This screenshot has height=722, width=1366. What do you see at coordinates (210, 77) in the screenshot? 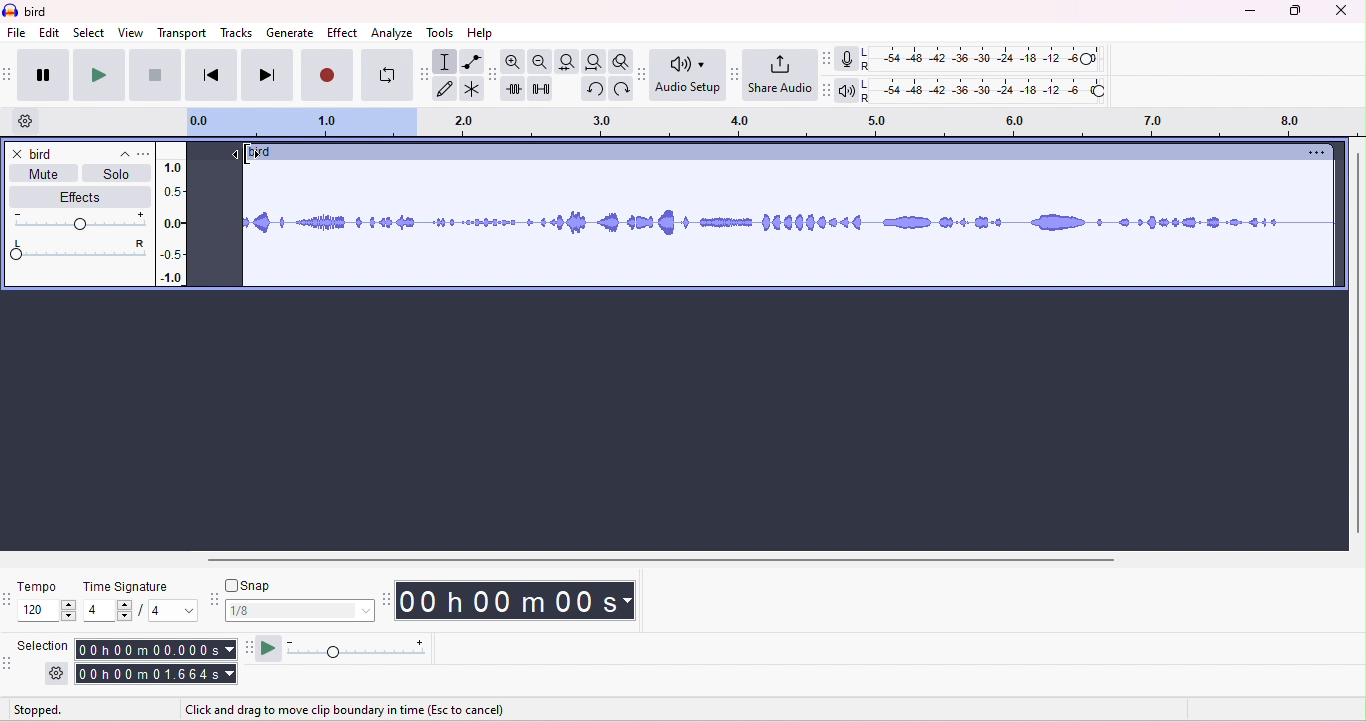
I see `previous` at bounding box center [210, 77].